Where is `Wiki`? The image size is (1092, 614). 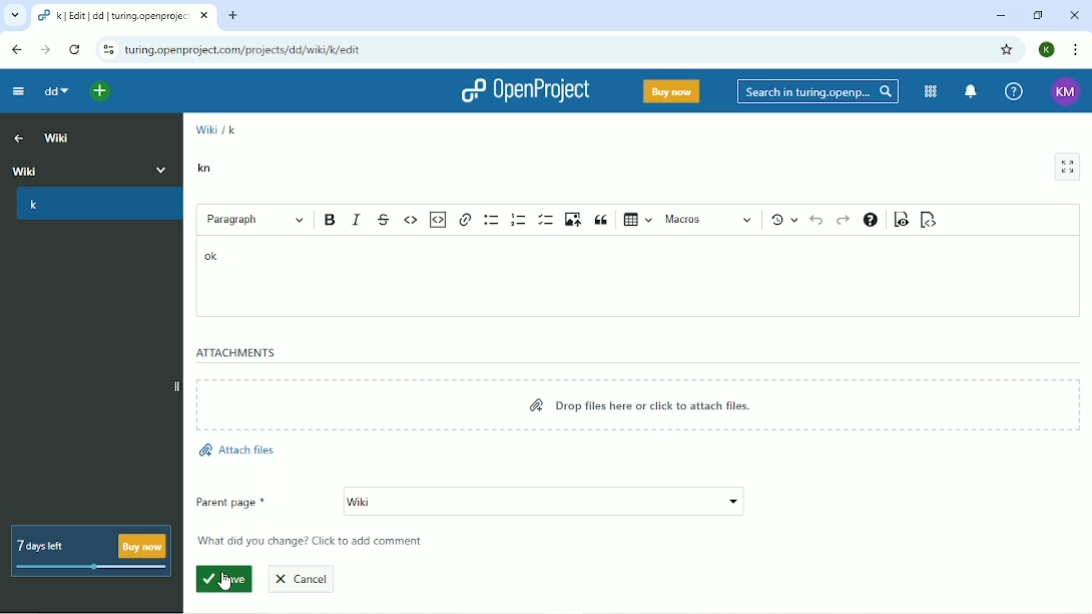
Wiki is located at coordinates (59, 139).